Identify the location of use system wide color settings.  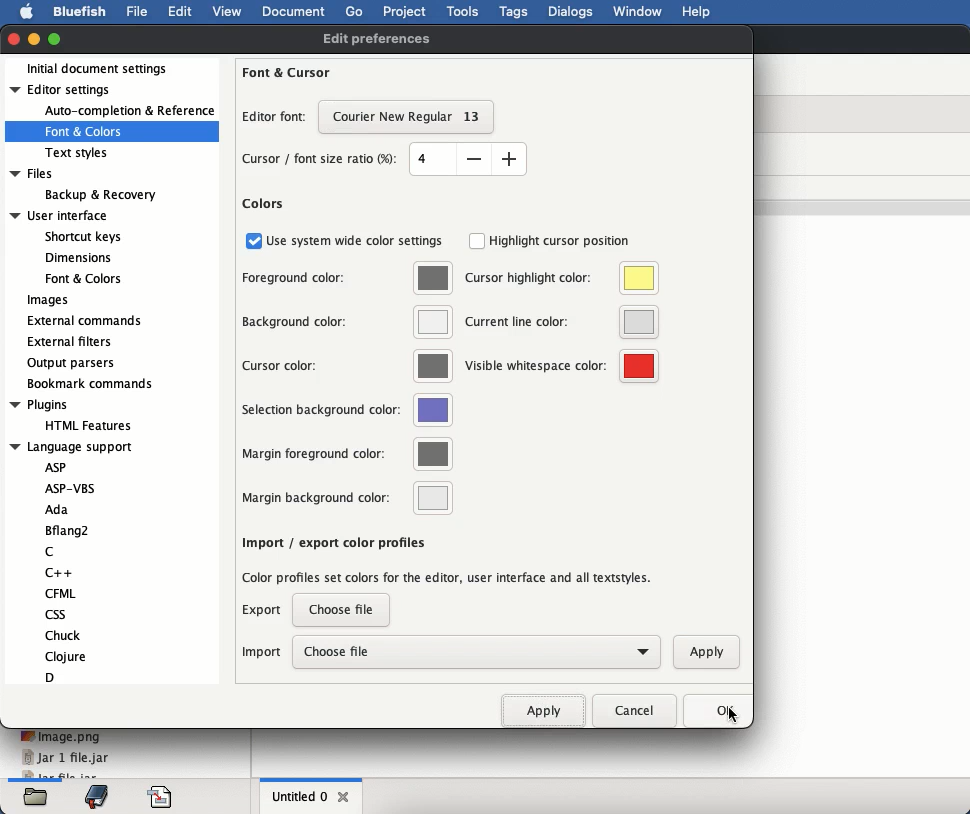
(344, 241).